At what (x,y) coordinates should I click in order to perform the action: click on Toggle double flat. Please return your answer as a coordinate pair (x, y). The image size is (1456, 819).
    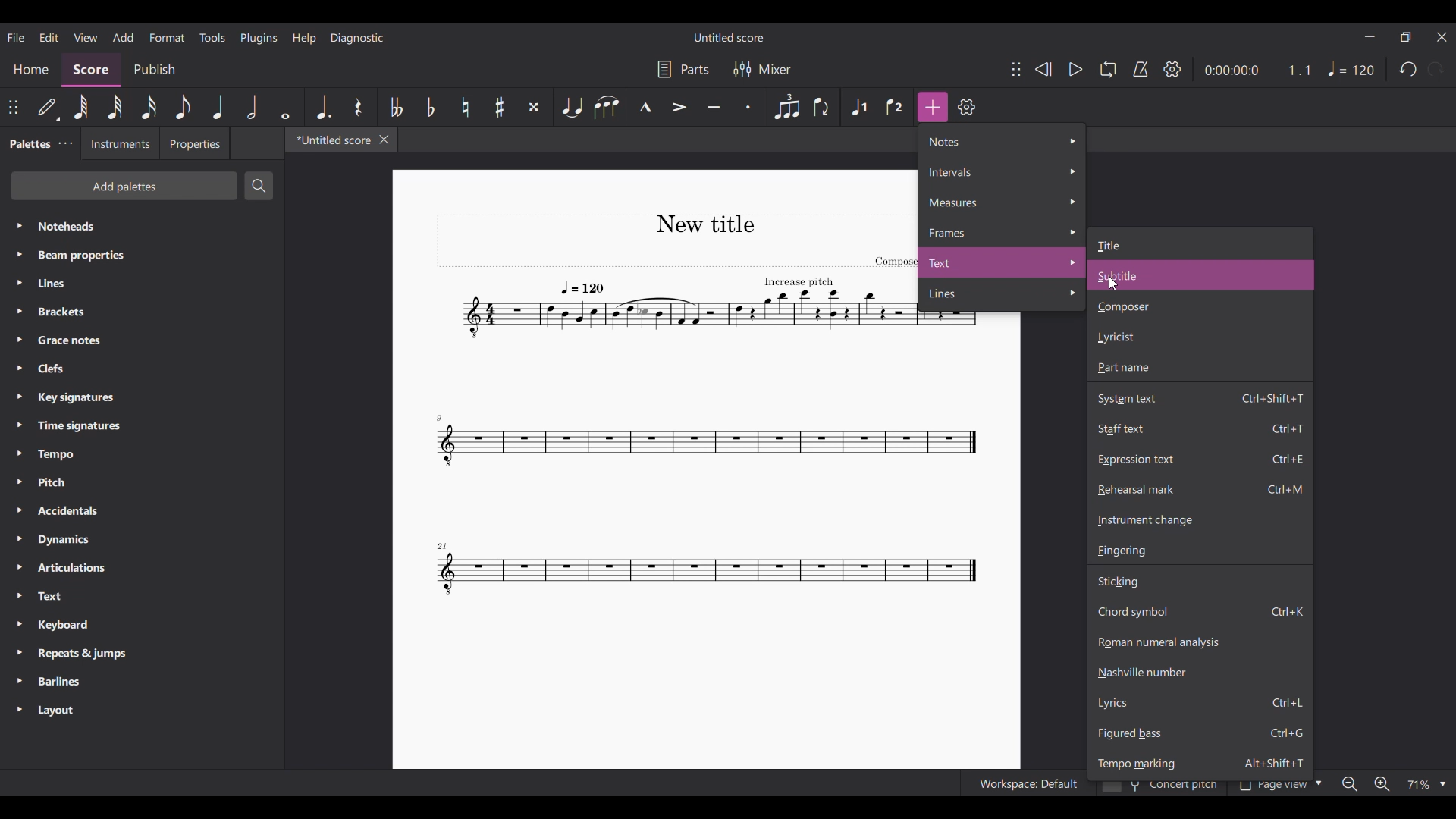
    Looking at the image, I should click on (395, 108).